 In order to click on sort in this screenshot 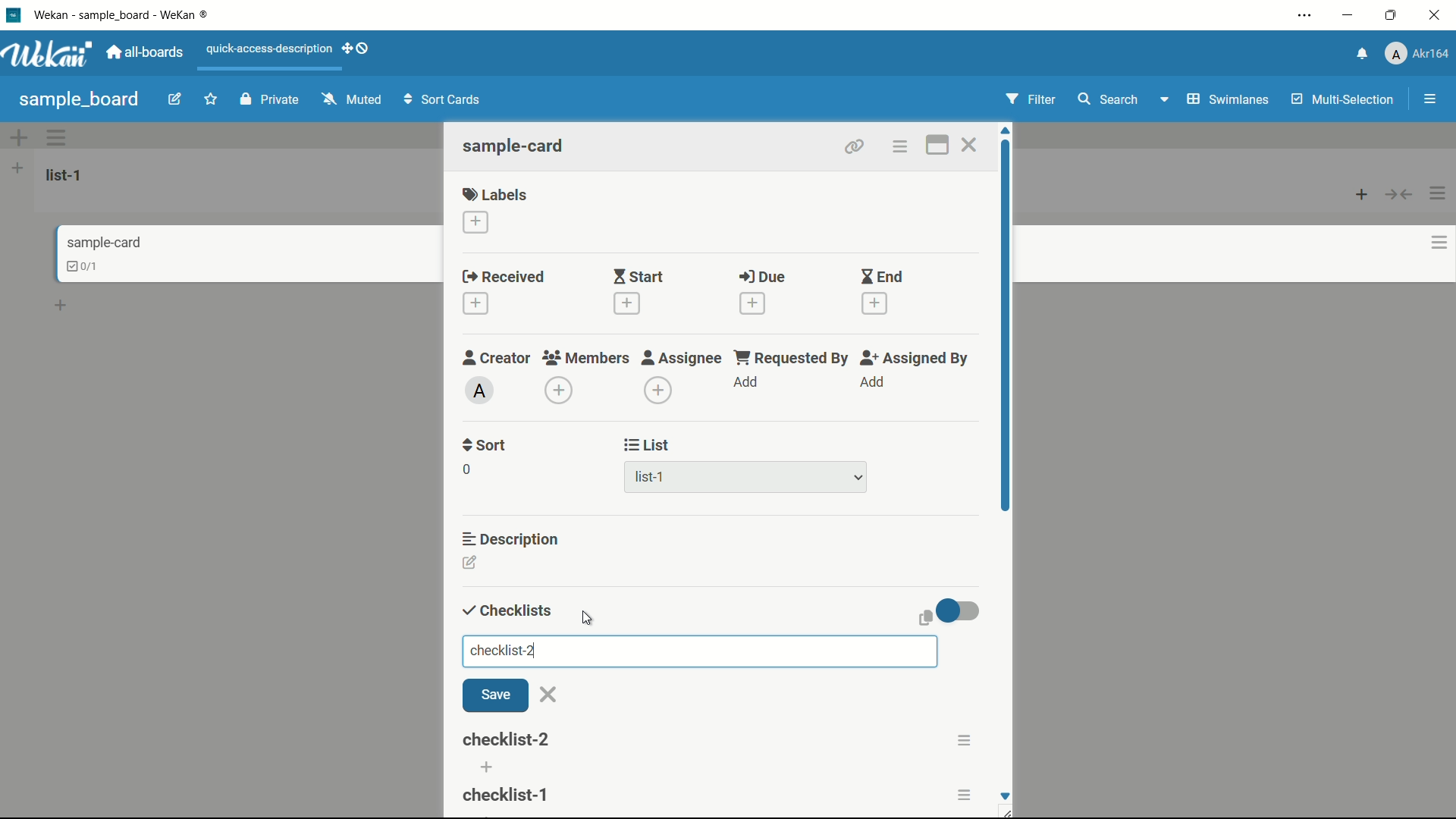, I will do `click(485, 445)`.